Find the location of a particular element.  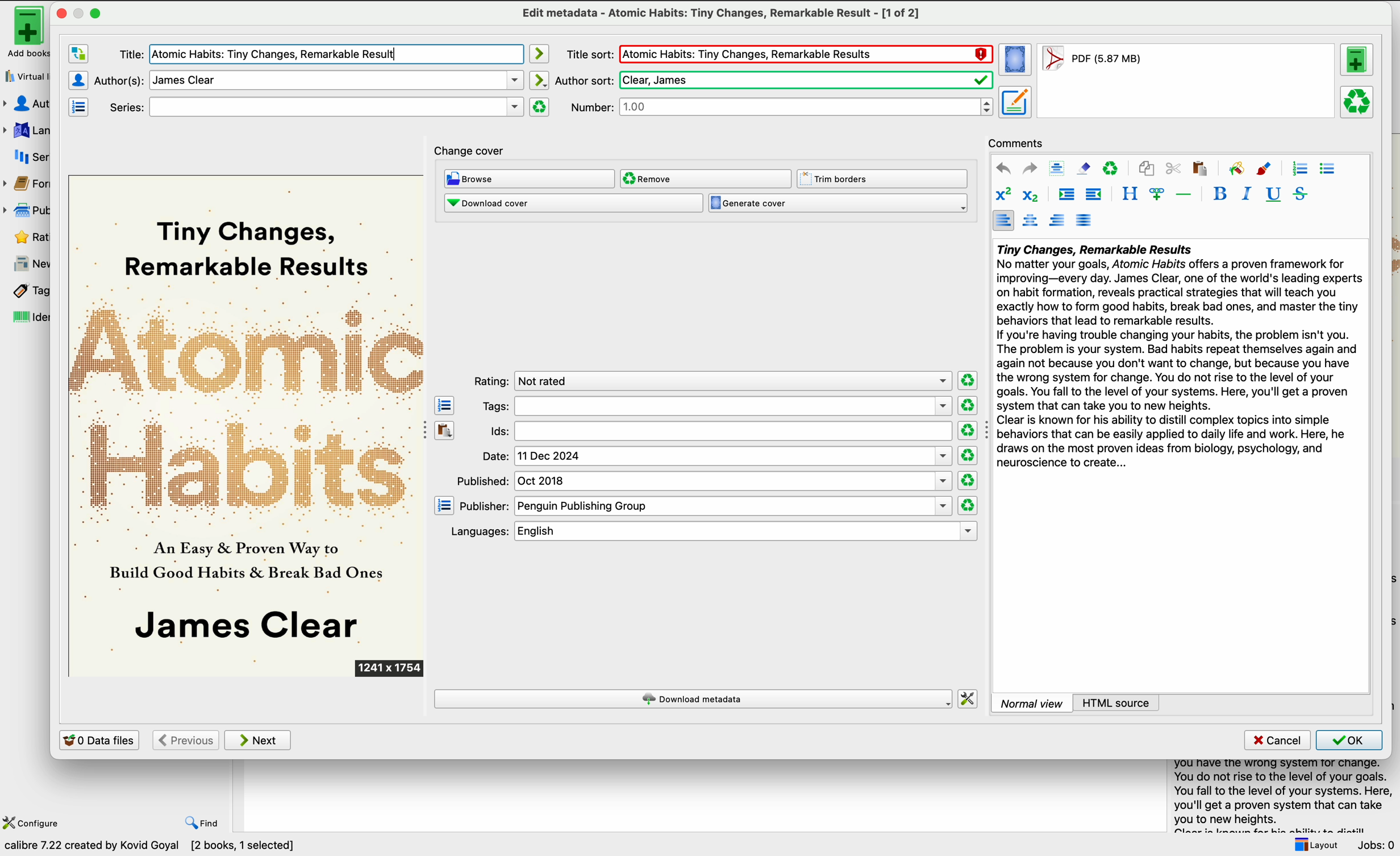

virtual library is located at coordinates (24, 76).